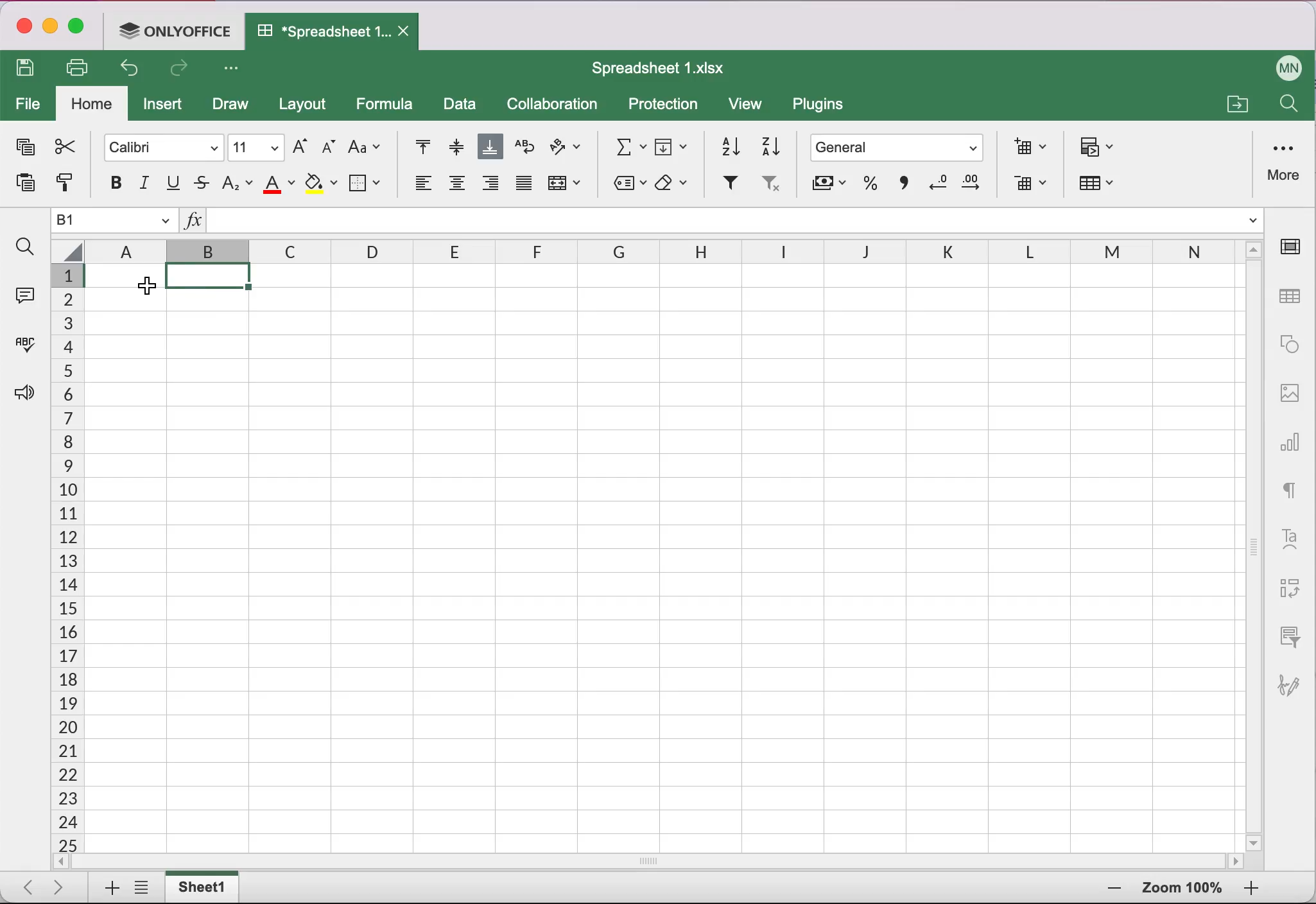 The image size is (1316, 904). What do you see at coordinates (1026, 146) in the screenshot?
I see `insert cells` at bounding box center [1026, 146].